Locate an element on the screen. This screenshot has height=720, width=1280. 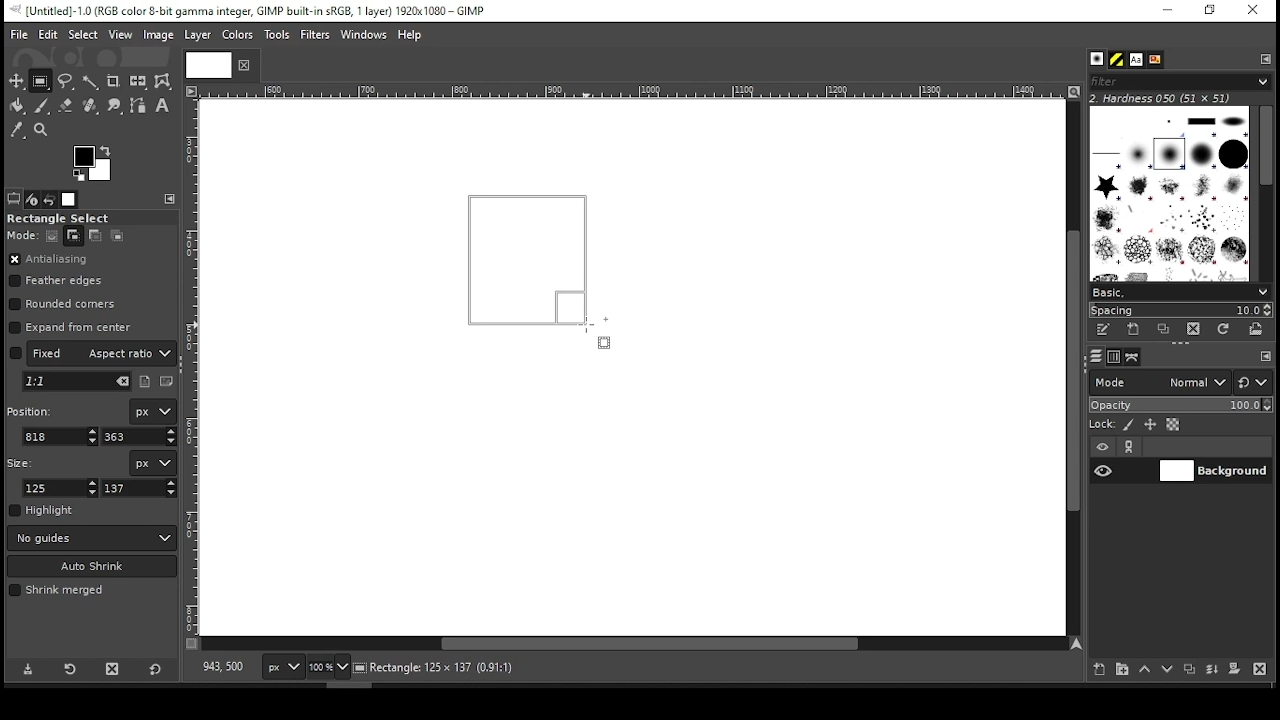
layer is located at coordinates (196, 35).